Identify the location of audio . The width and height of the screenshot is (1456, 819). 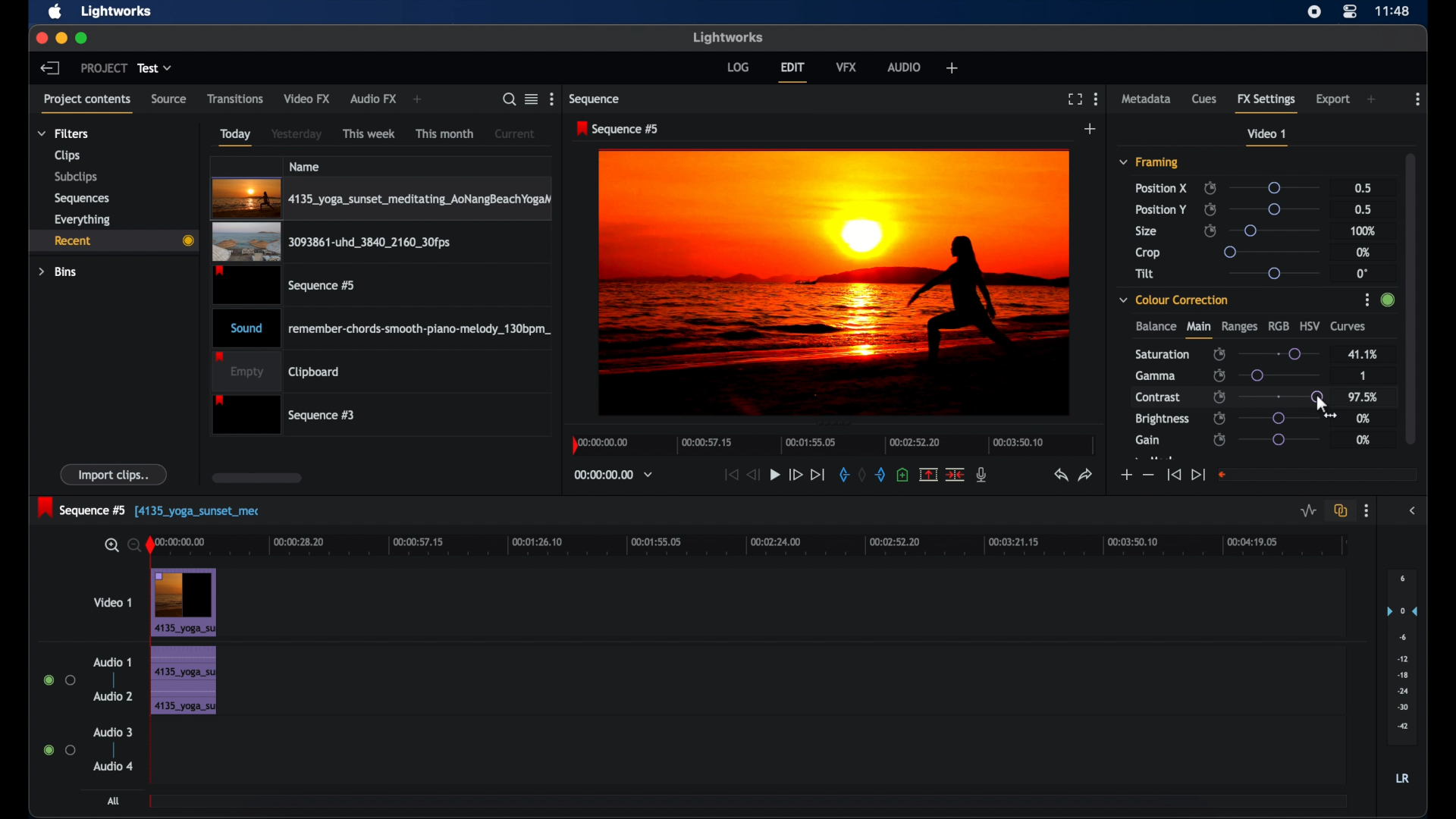
(182, 680).